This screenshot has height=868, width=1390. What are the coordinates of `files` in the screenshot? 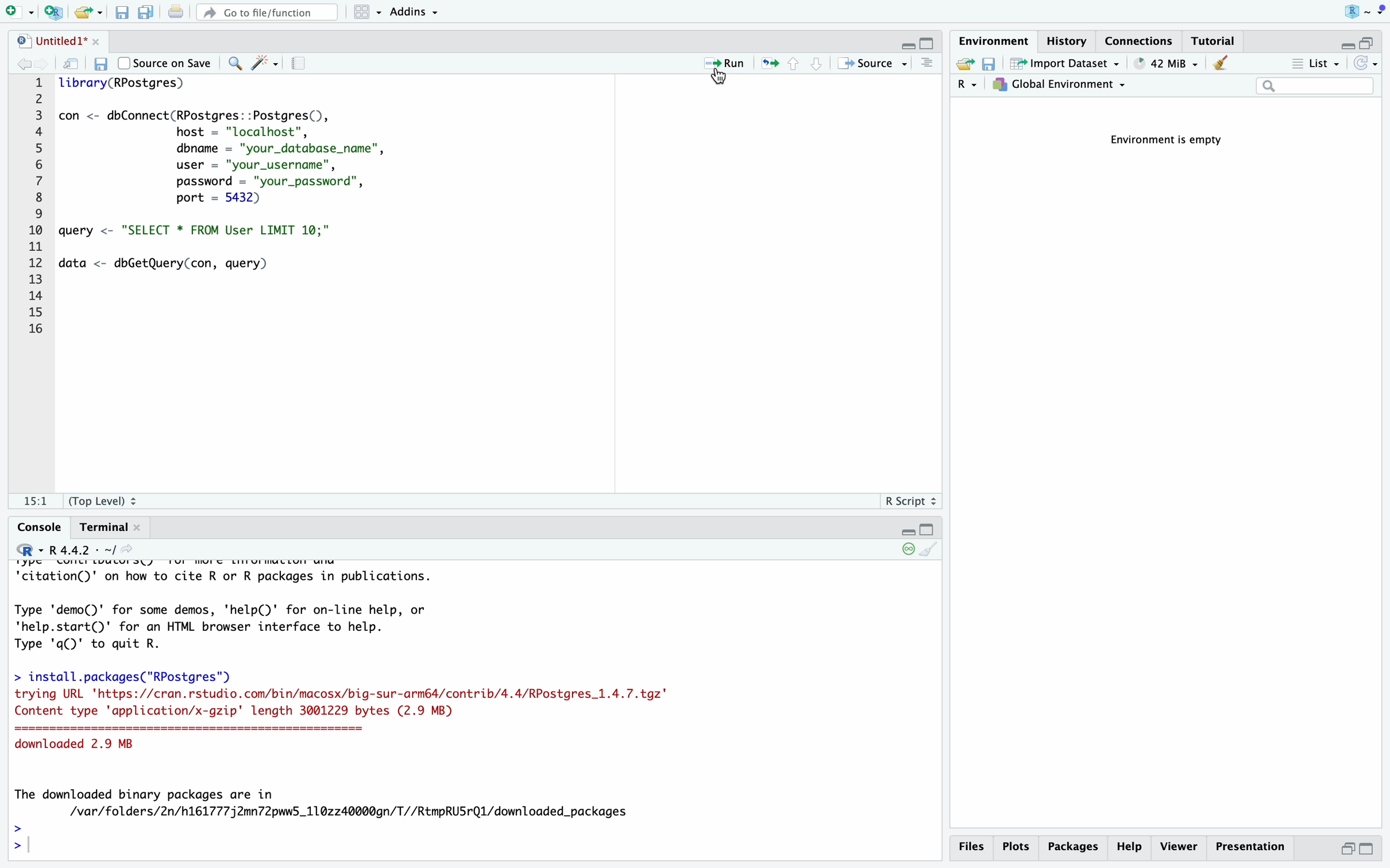 It's located at (974, 847).